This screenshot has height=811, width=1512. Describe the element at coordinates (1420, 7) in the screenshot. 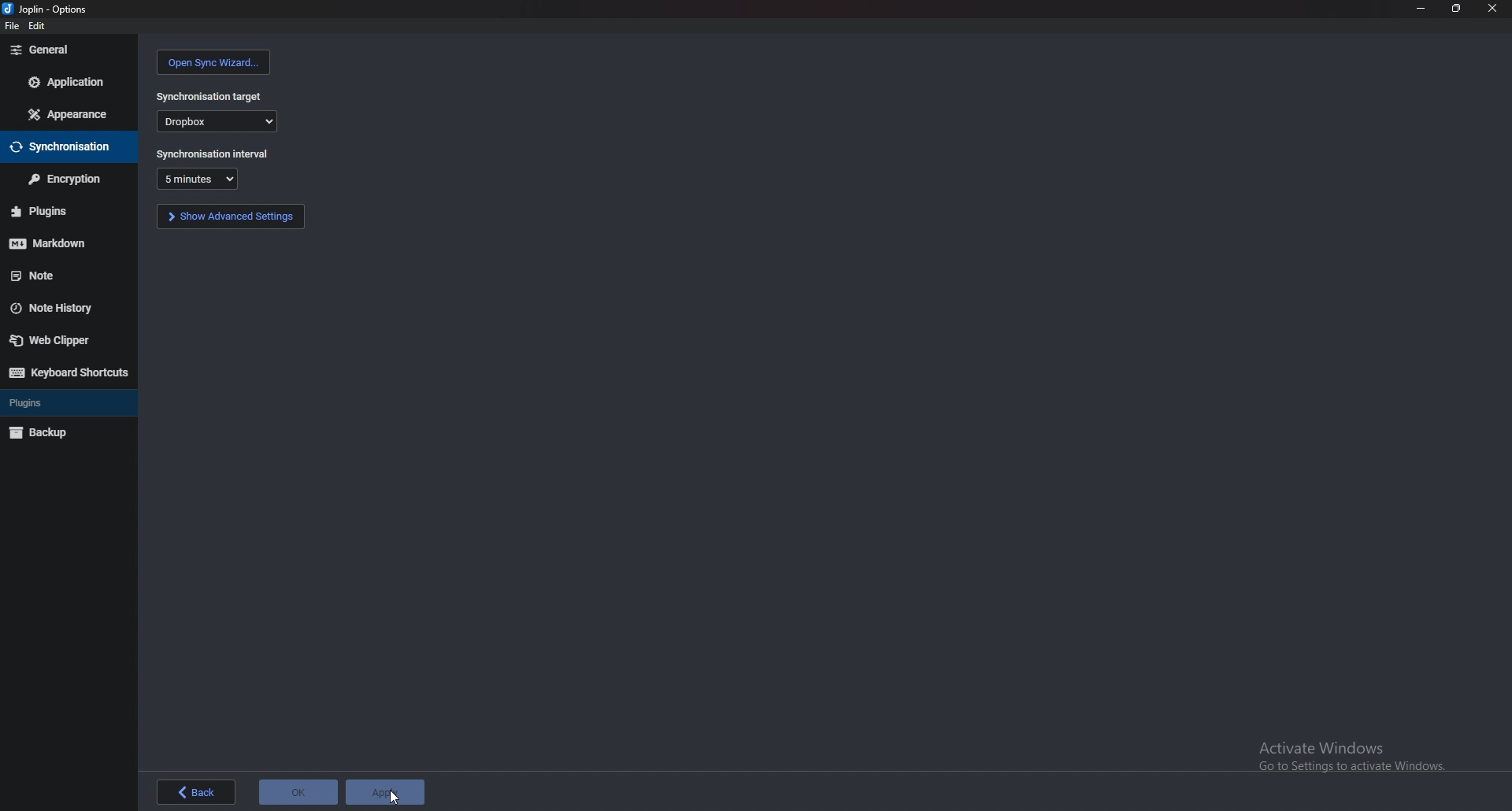

I see `minimize` at that location.